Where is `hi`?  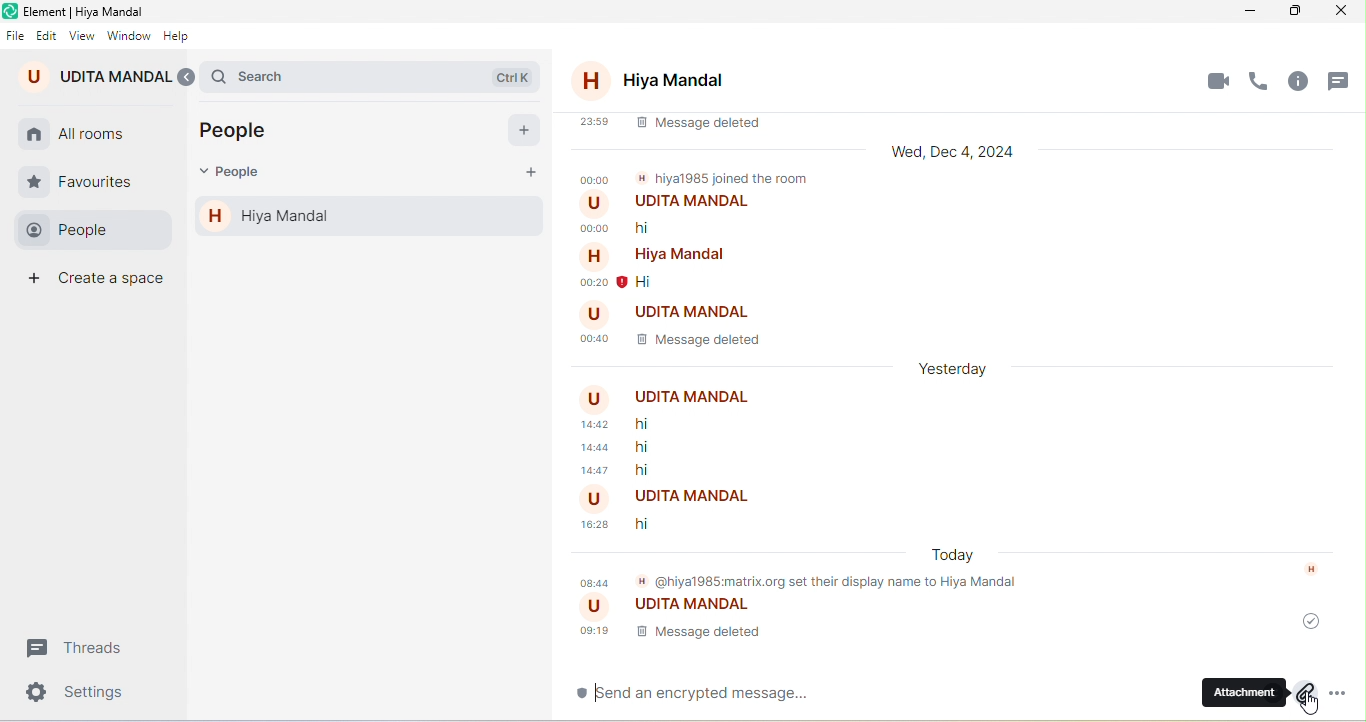
hi is located at coordinates (654, 472).